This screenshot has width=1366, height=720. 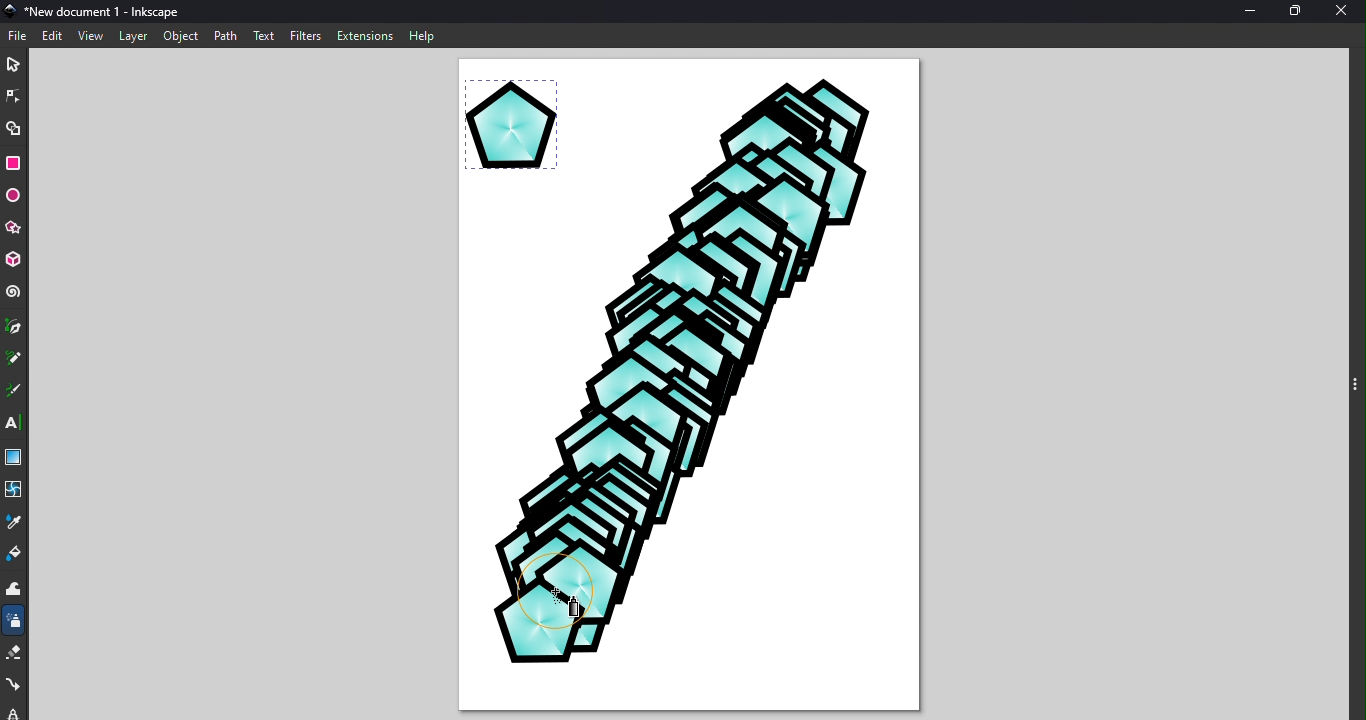 I want to click on New document 1 - Inkscape, so click(x=106, y=10).